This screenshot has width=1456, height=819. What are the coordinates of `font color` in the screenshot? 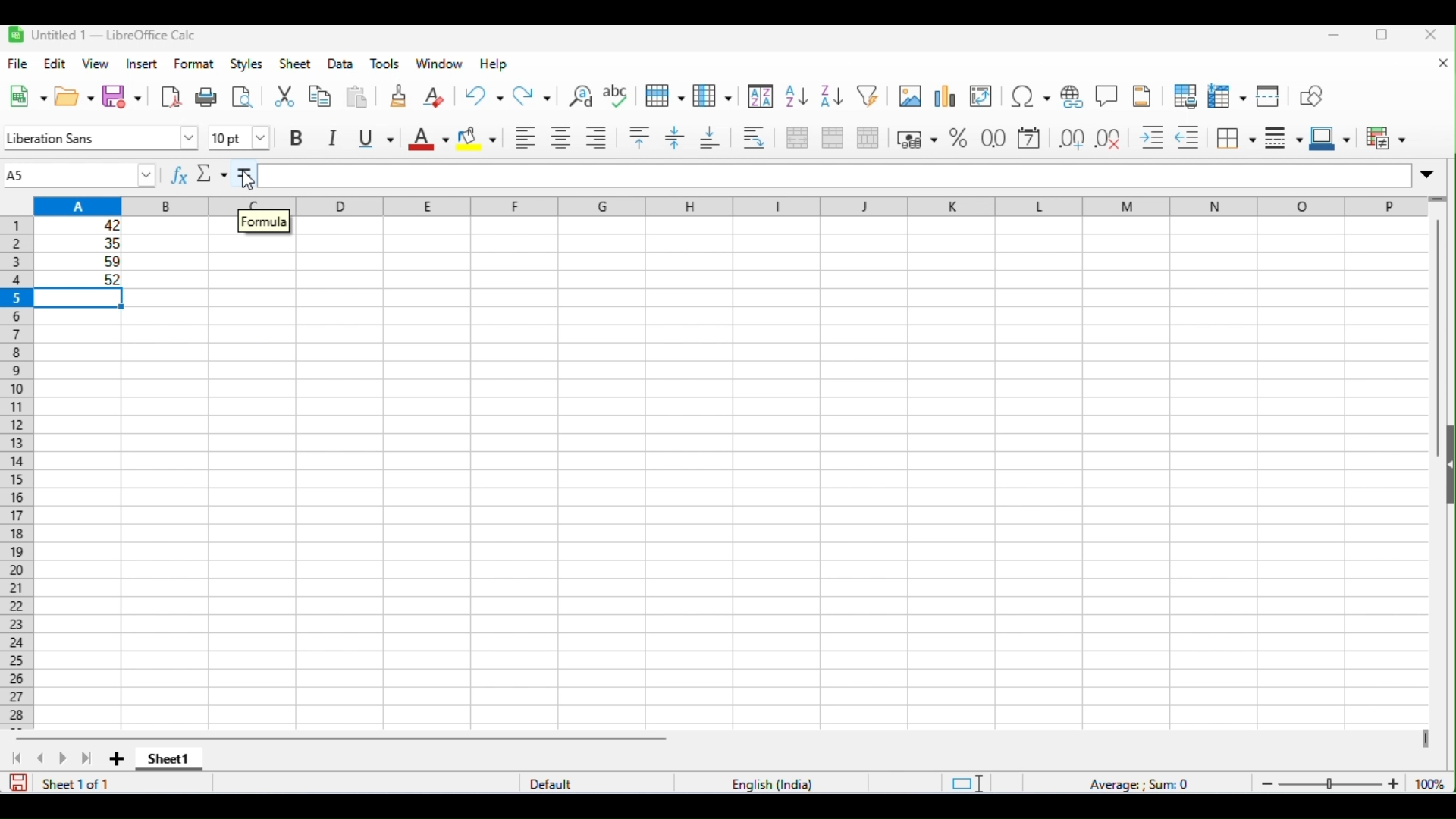 It's located at (428, 137).